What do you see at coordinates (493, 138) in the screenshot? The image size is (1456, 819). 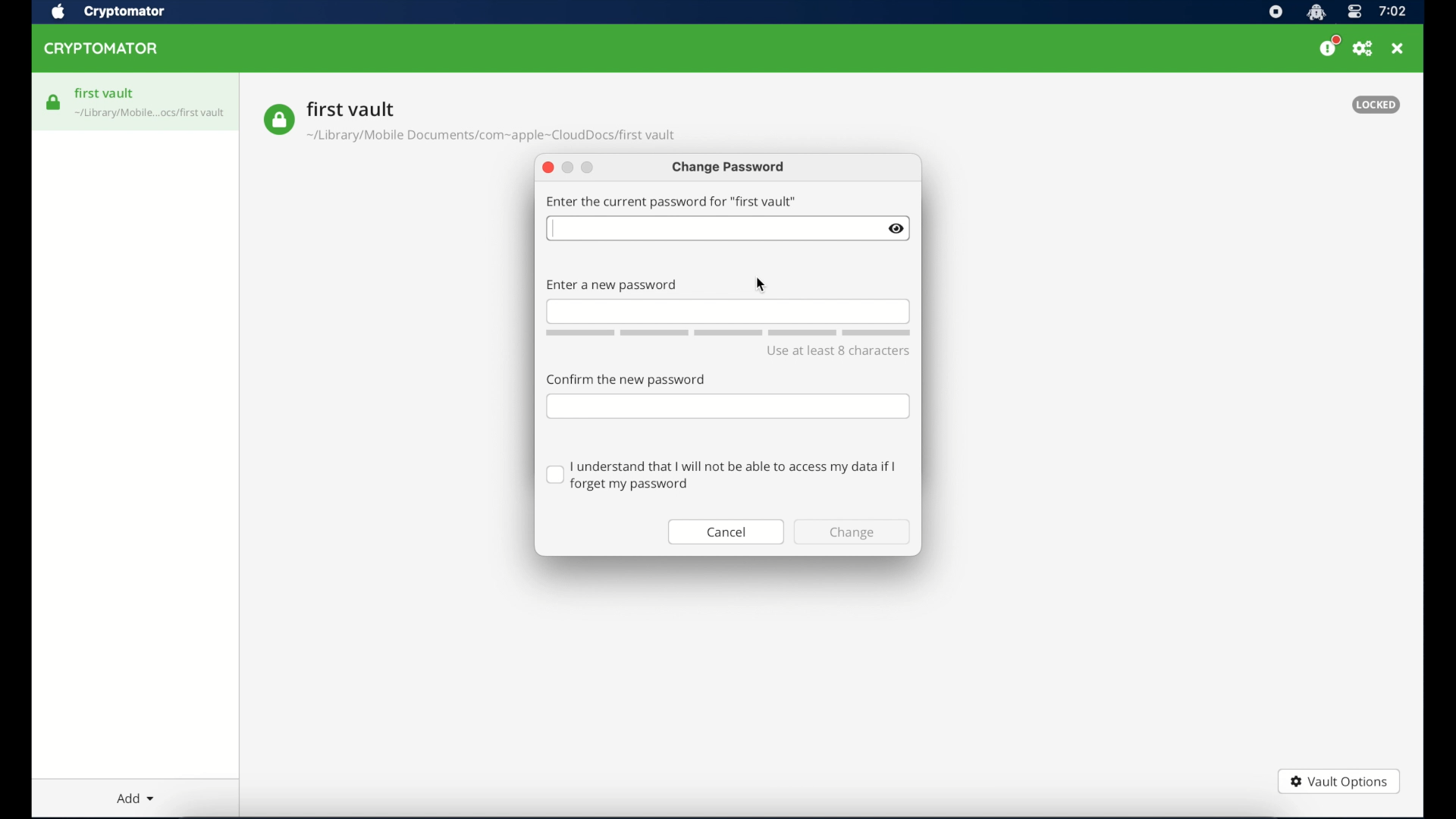 I see `vault location` at bounding box center [493, 138].